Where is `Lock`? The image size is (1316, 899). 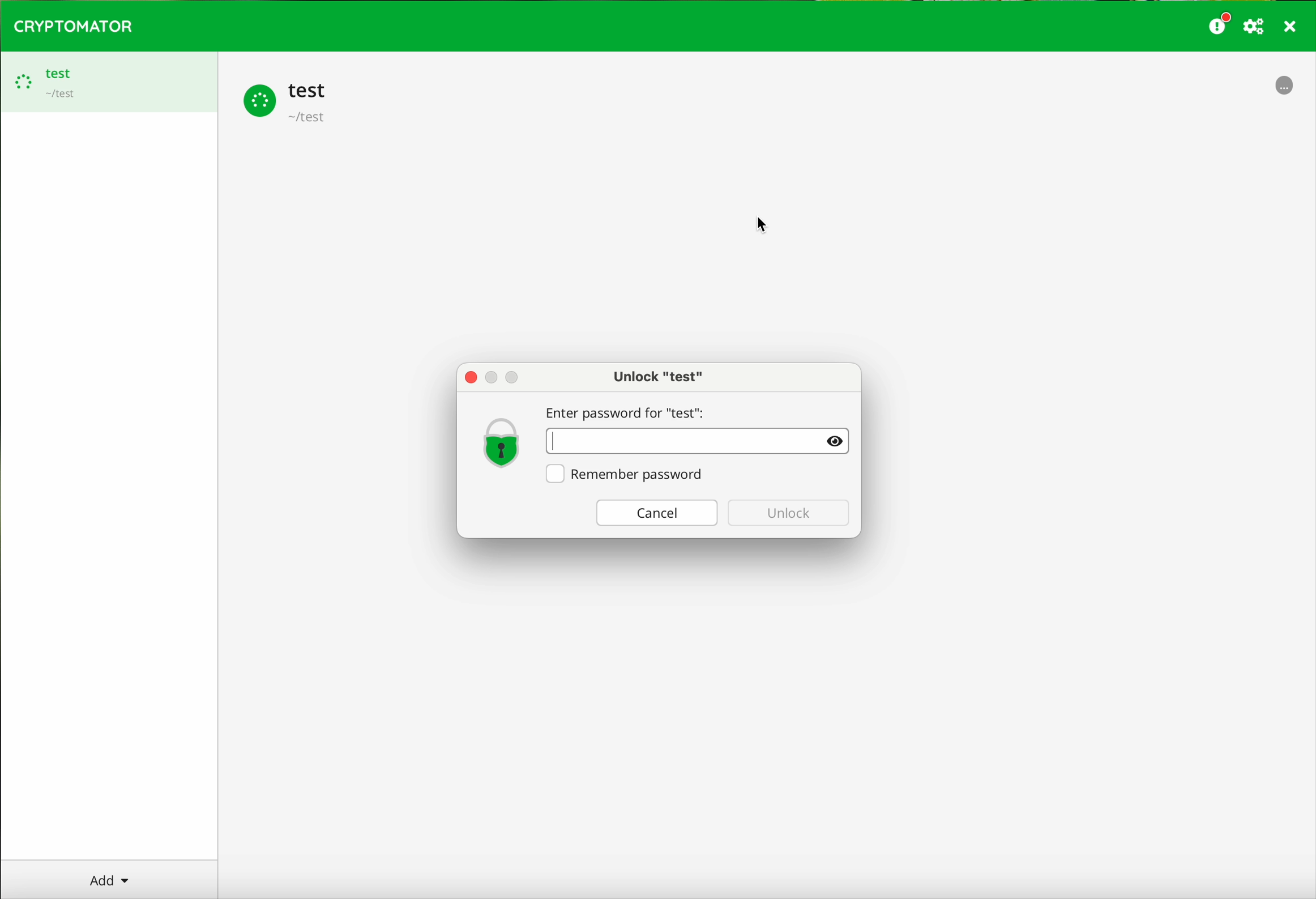
Lock is located at coordinates (502, 442).